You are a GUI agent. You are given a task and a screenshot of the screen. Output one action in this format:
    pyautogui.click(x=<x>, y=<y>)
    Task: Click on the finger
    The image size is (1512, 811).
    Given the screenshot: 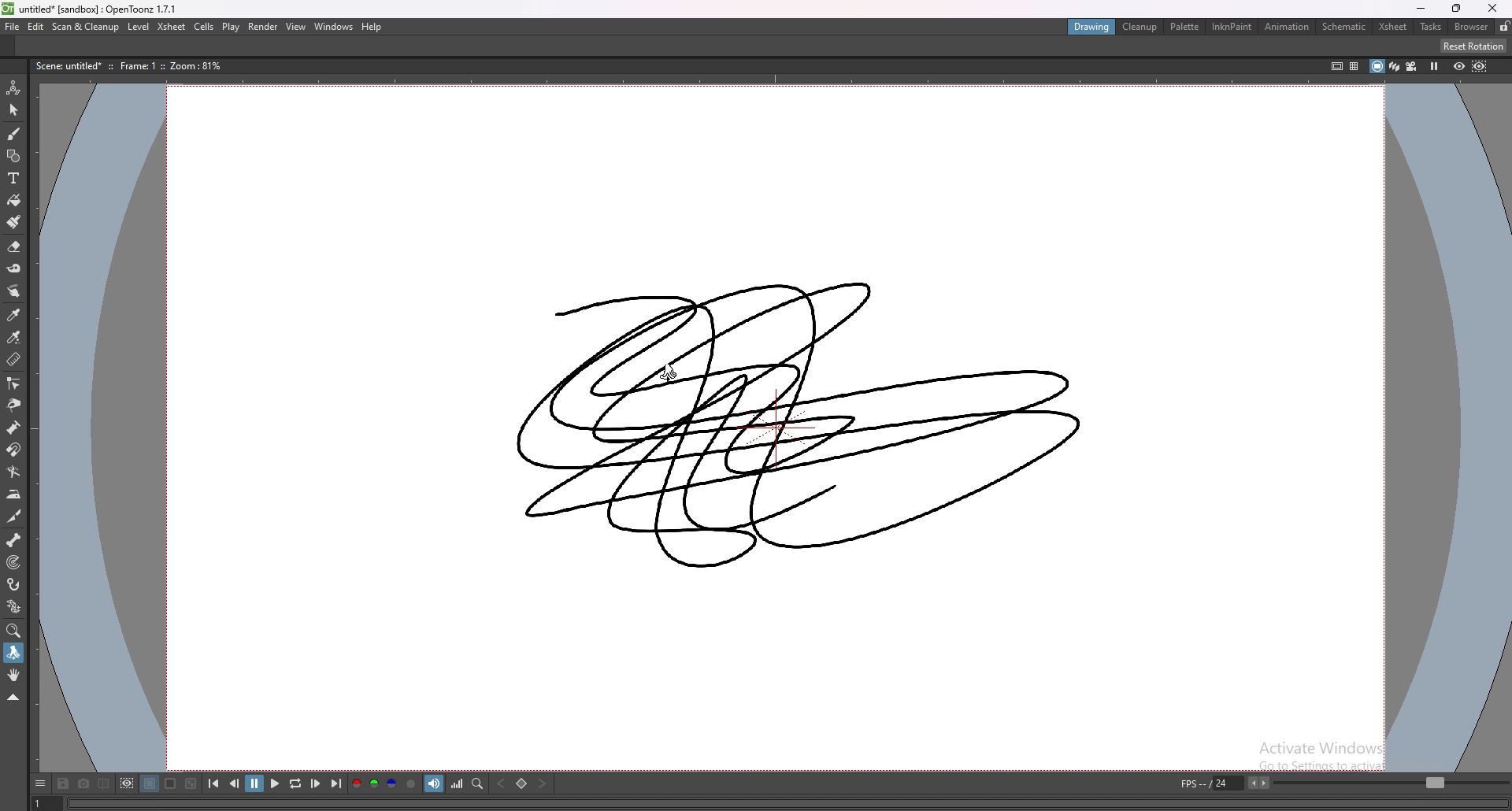 What is the action you would take?
    pyautogui.click(x=13, y=291)
    